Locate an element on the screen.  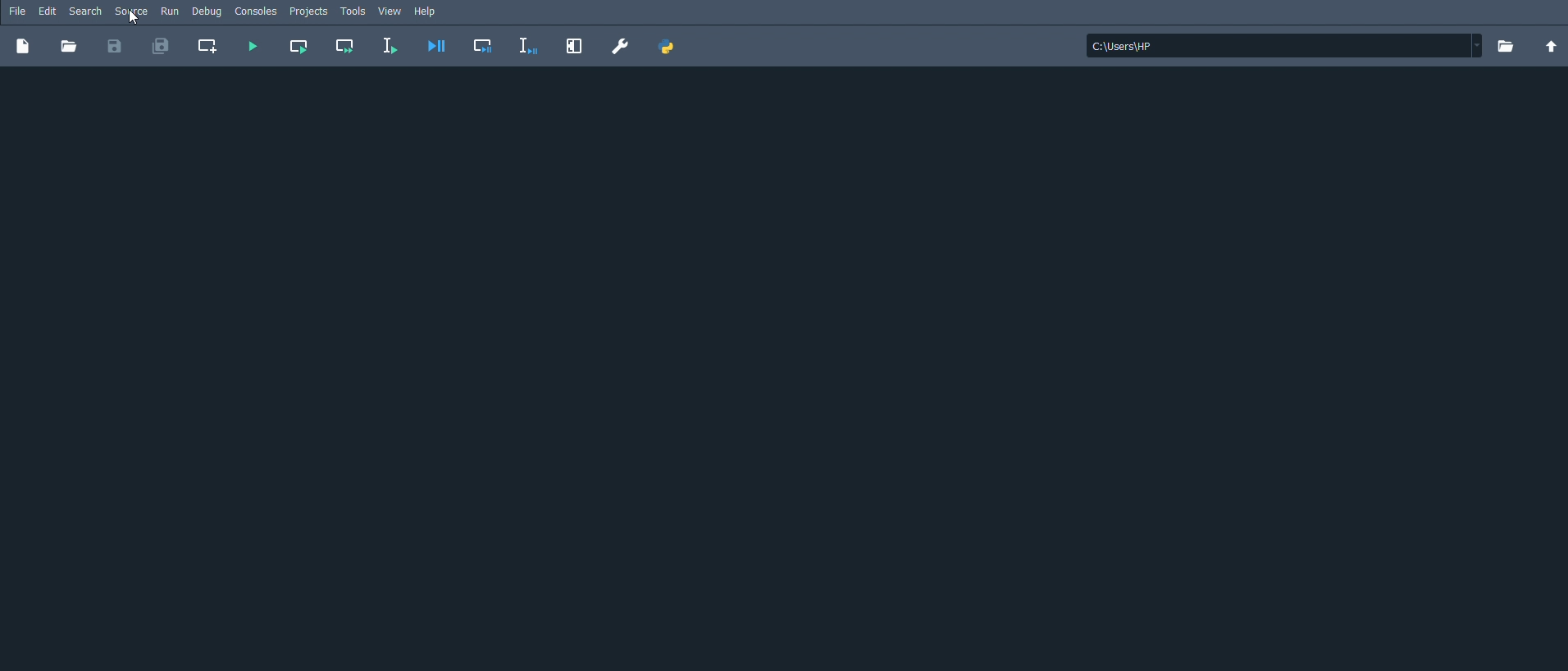
Preferences is located at coordinates (622, 47).